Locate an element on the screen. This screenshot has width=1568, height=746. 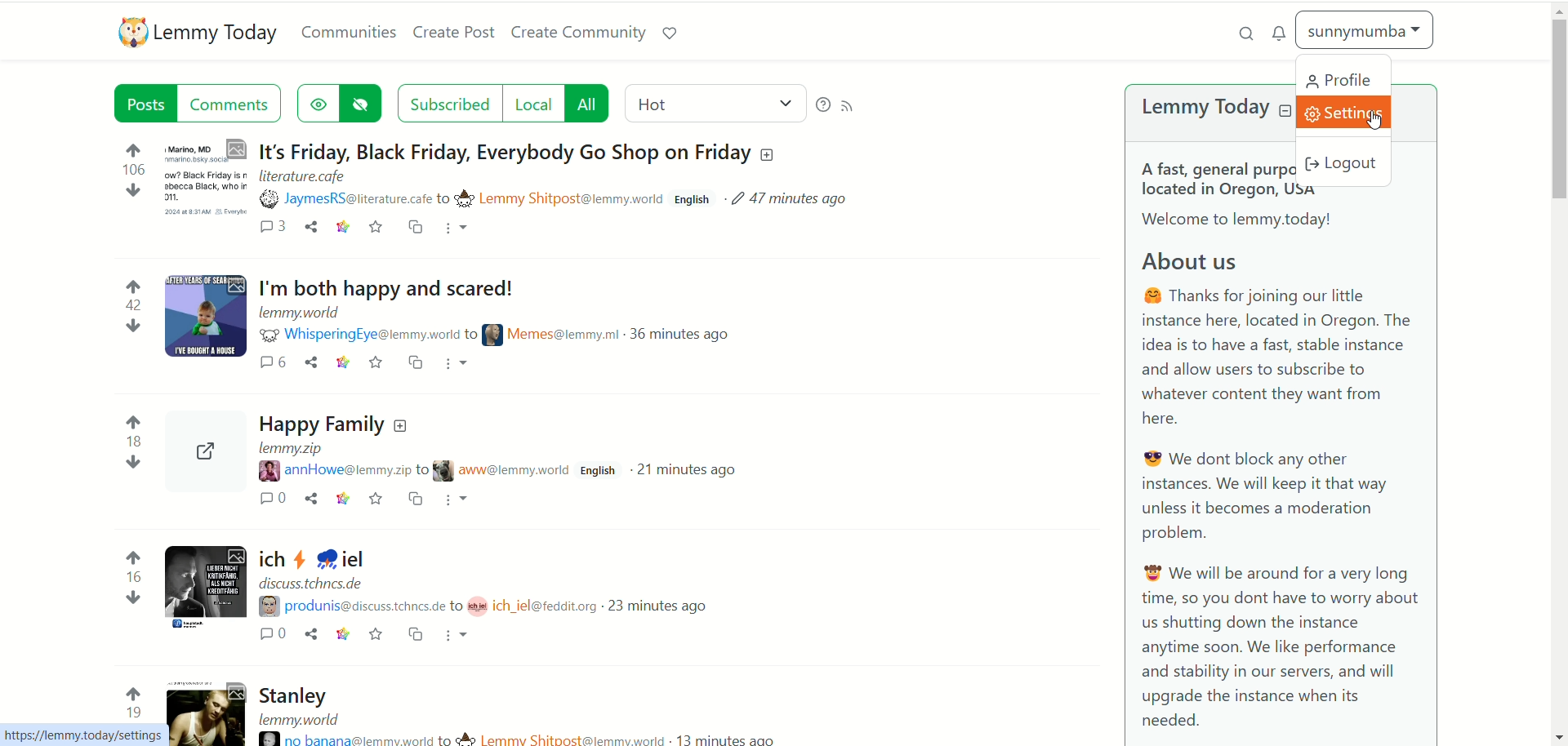
logout is located at coordinates (1349, 164).